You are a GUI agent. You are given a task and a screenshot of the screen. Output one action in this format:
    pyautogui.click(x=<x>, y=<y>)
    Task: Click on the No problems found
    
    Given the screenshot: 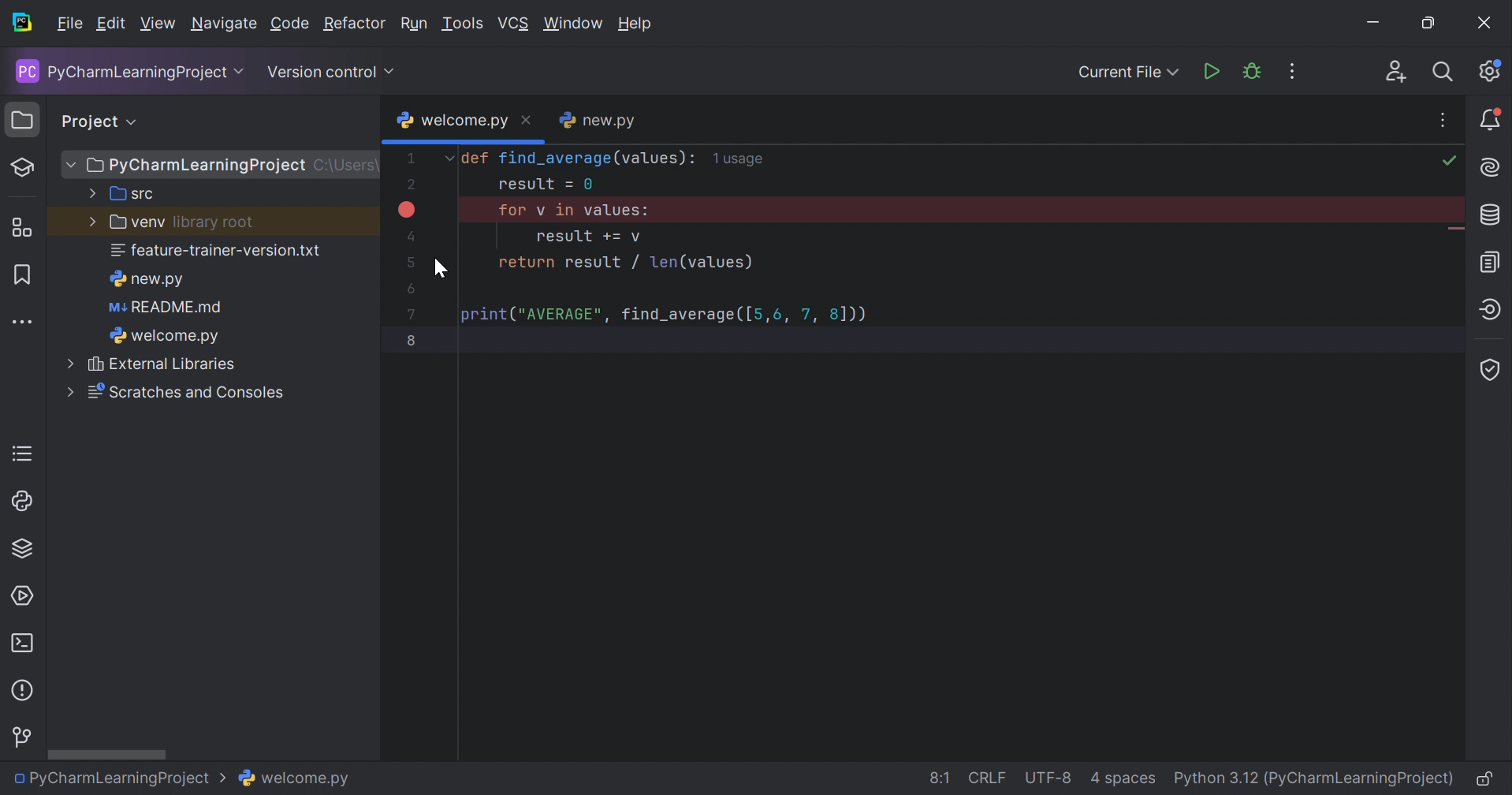 What is the action you would take?
    pyautogui.click(x=1448, y=162)
    